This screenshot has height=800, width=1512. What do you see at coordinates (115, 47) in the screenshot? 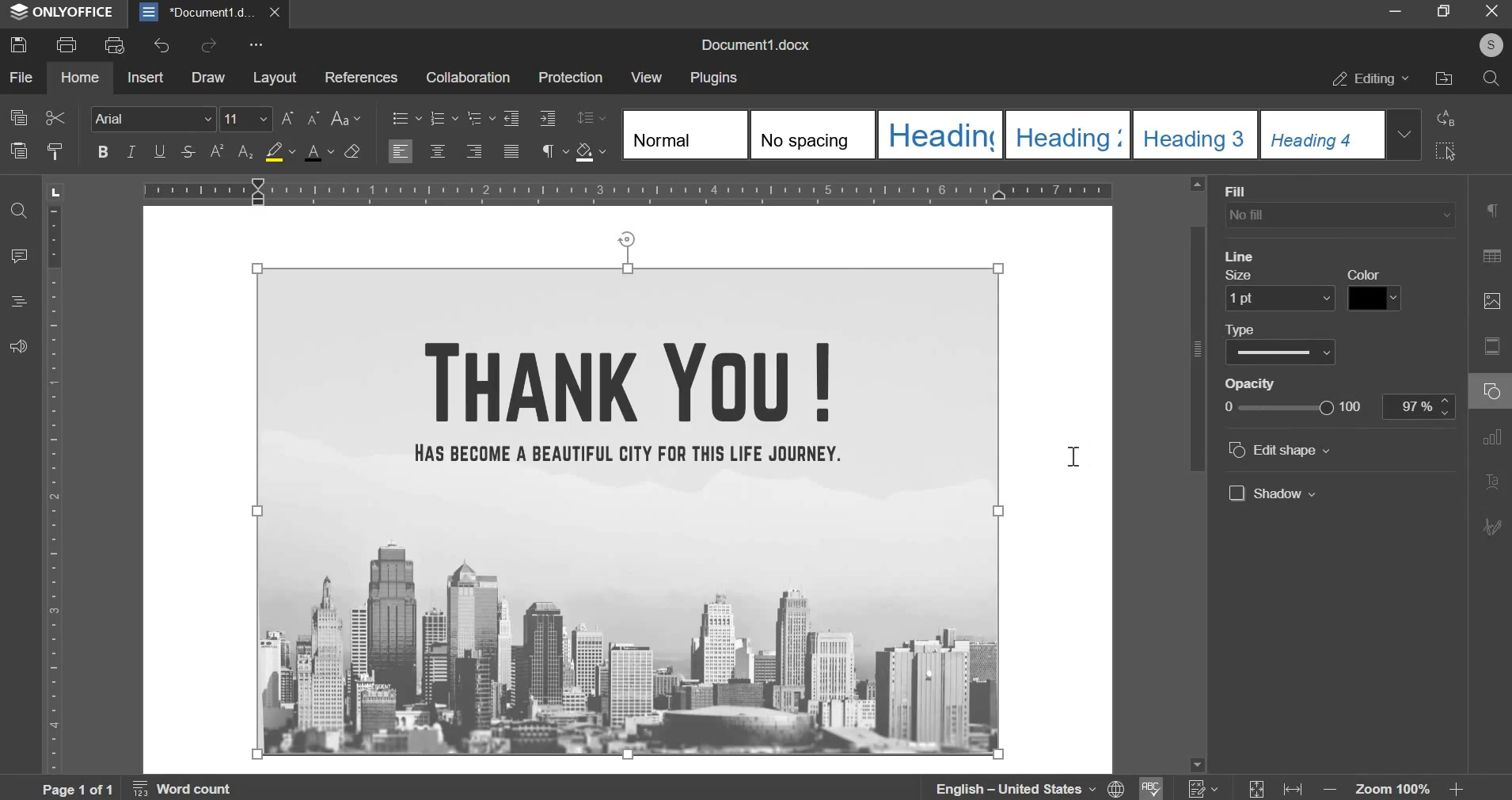
I see `print preview` at bounding box center [115, 47].